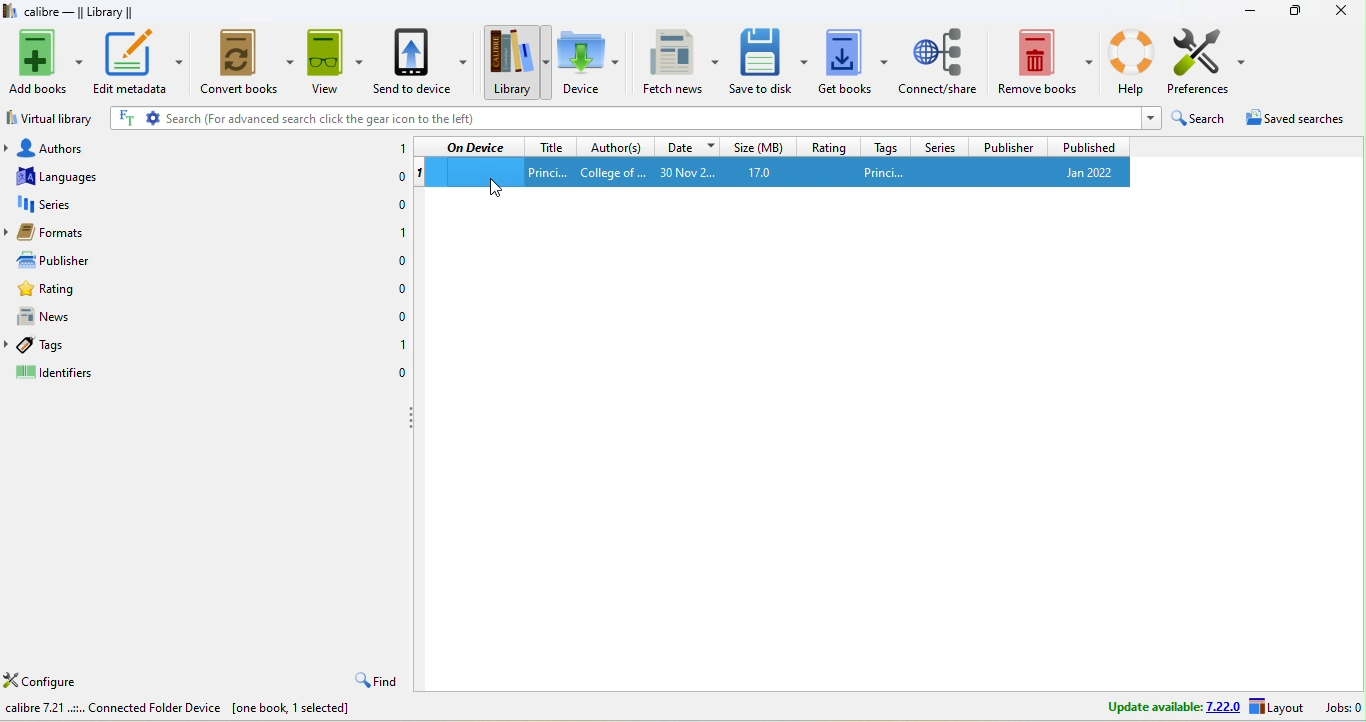 This screenshot has height=722, width=1366. What do you see at coordinates (400, 262) in the screenshot?
I see `0` at bounding box center [400, 262].